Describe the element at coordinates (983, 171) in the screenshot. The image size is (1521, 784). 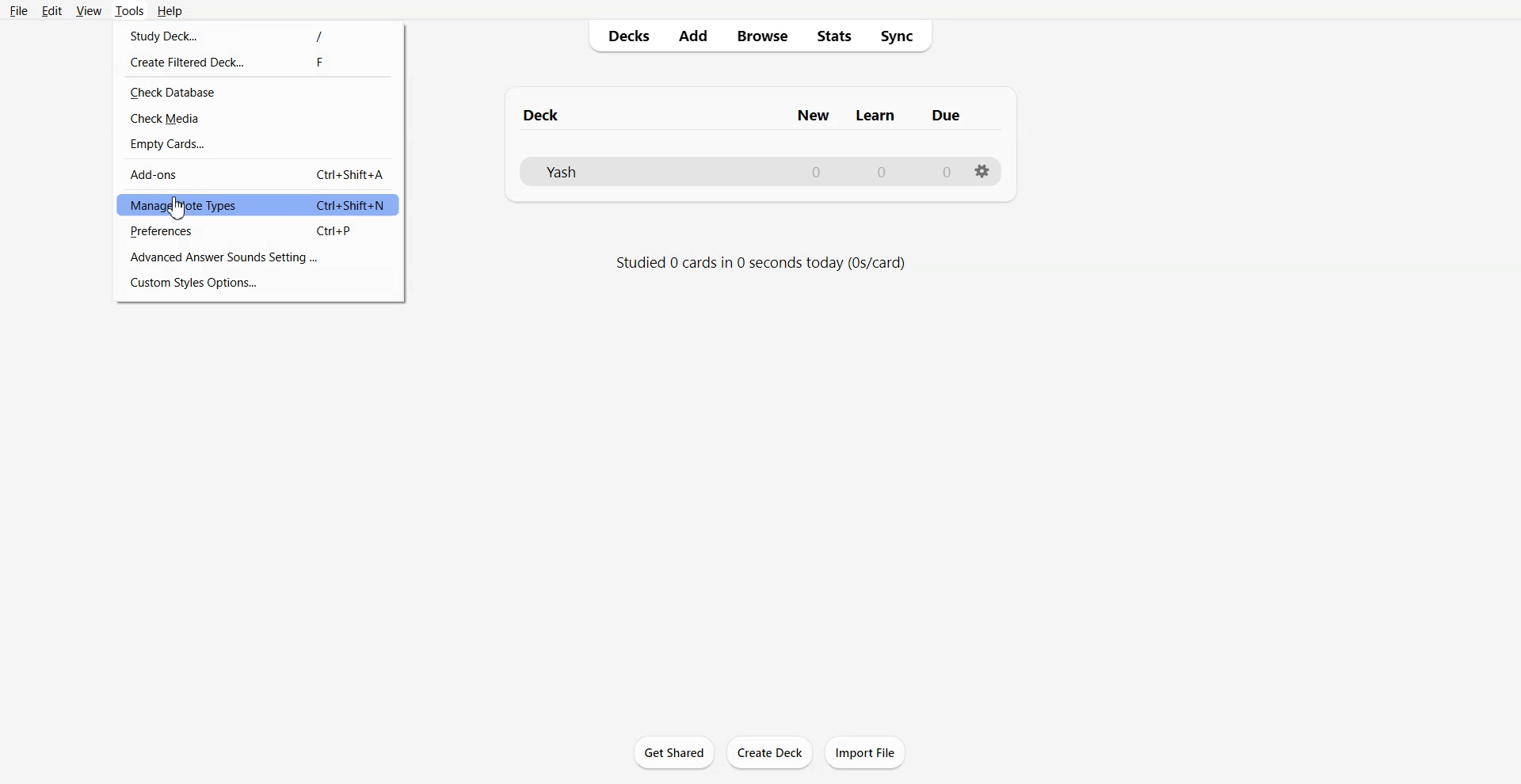
I see `Settings` at that location.